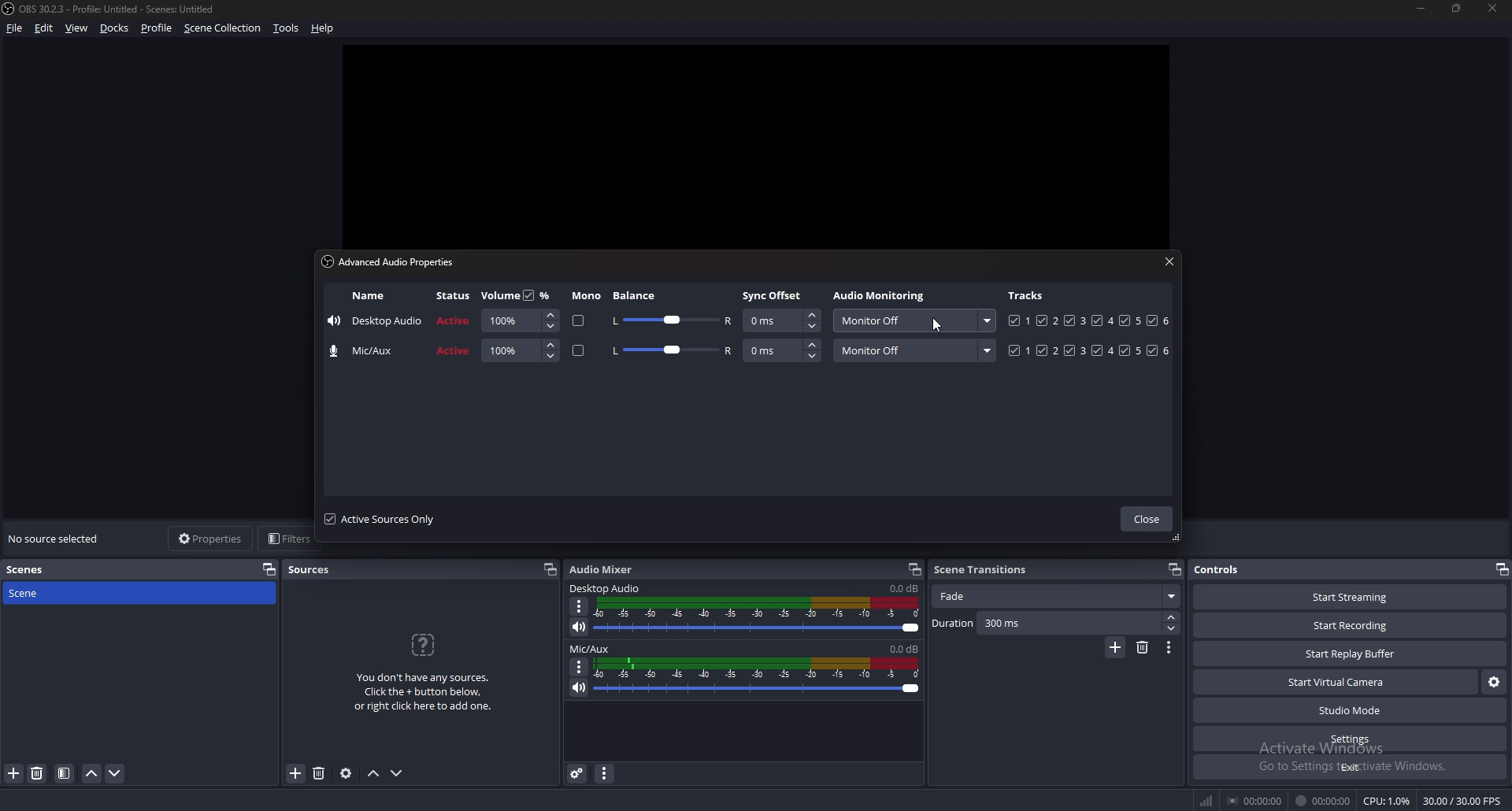  What do you see at coordinates (323, 28) in the screenshot?
I see `help` at bounding box center [323, 28].